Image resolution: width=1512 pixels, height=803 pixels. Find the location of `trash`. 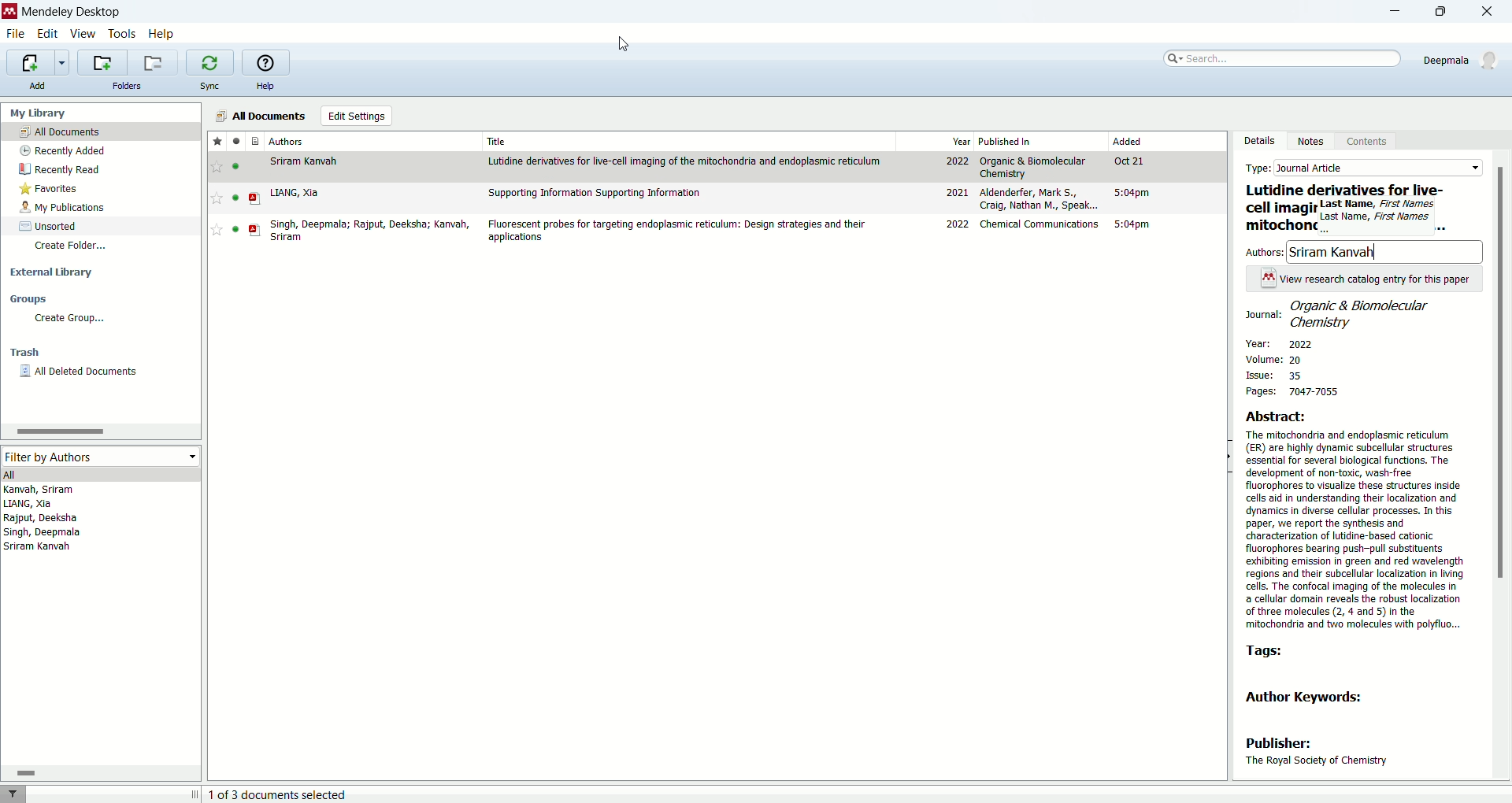

trash is located at coordinates (25, 350).